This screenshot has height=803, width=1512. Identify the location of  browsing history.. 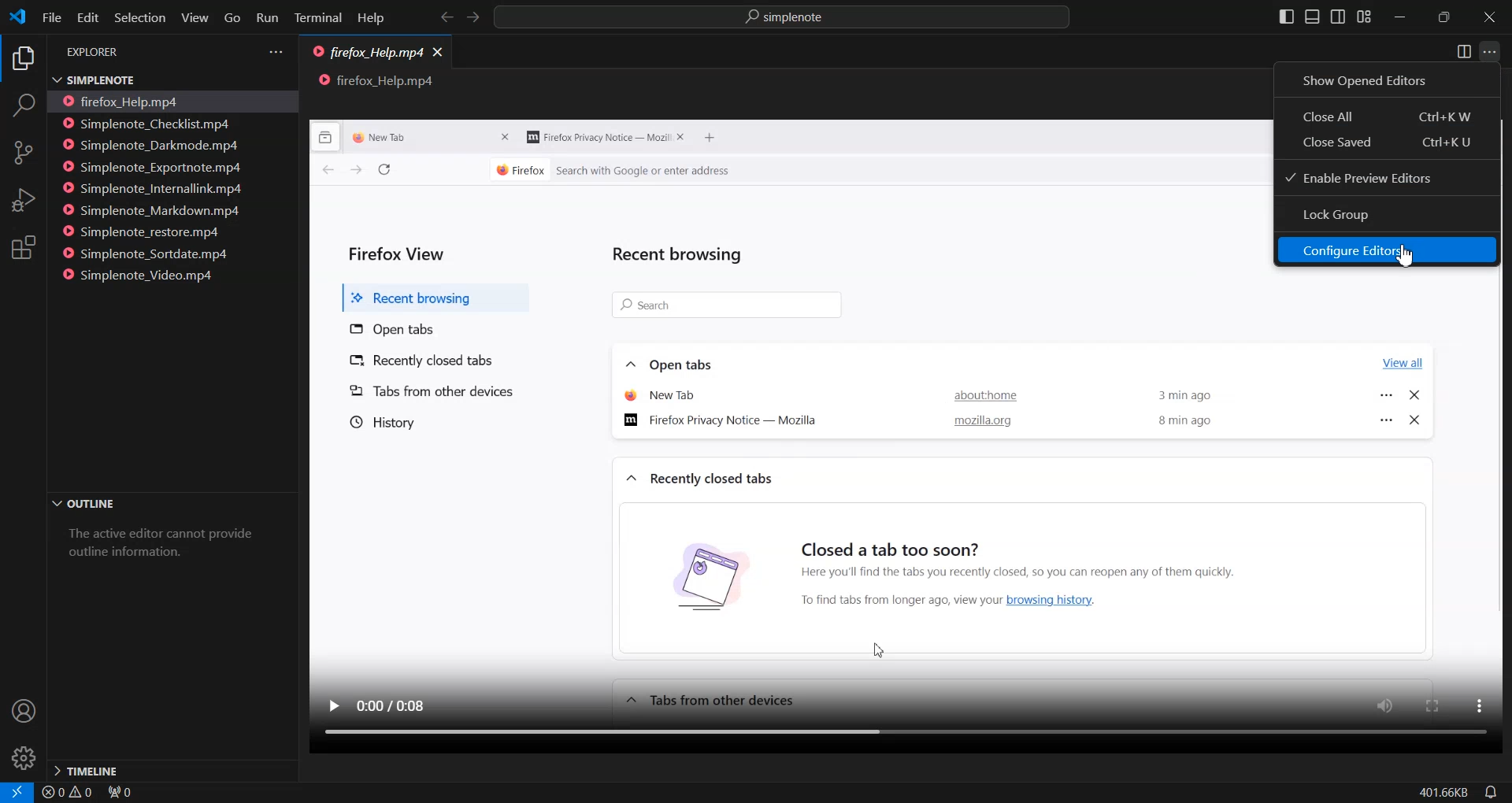
(1065, 600).